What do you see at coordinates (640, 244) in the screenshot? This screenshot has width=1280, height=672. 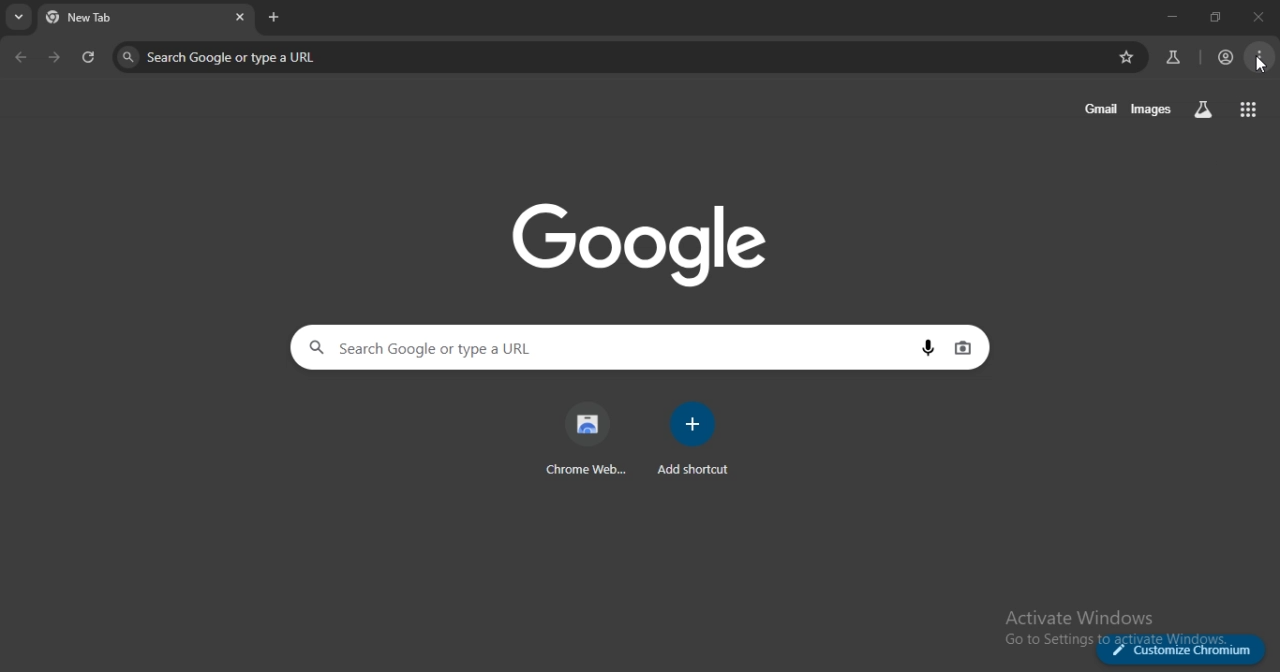 I see `image` at bounding box center [640, 244].